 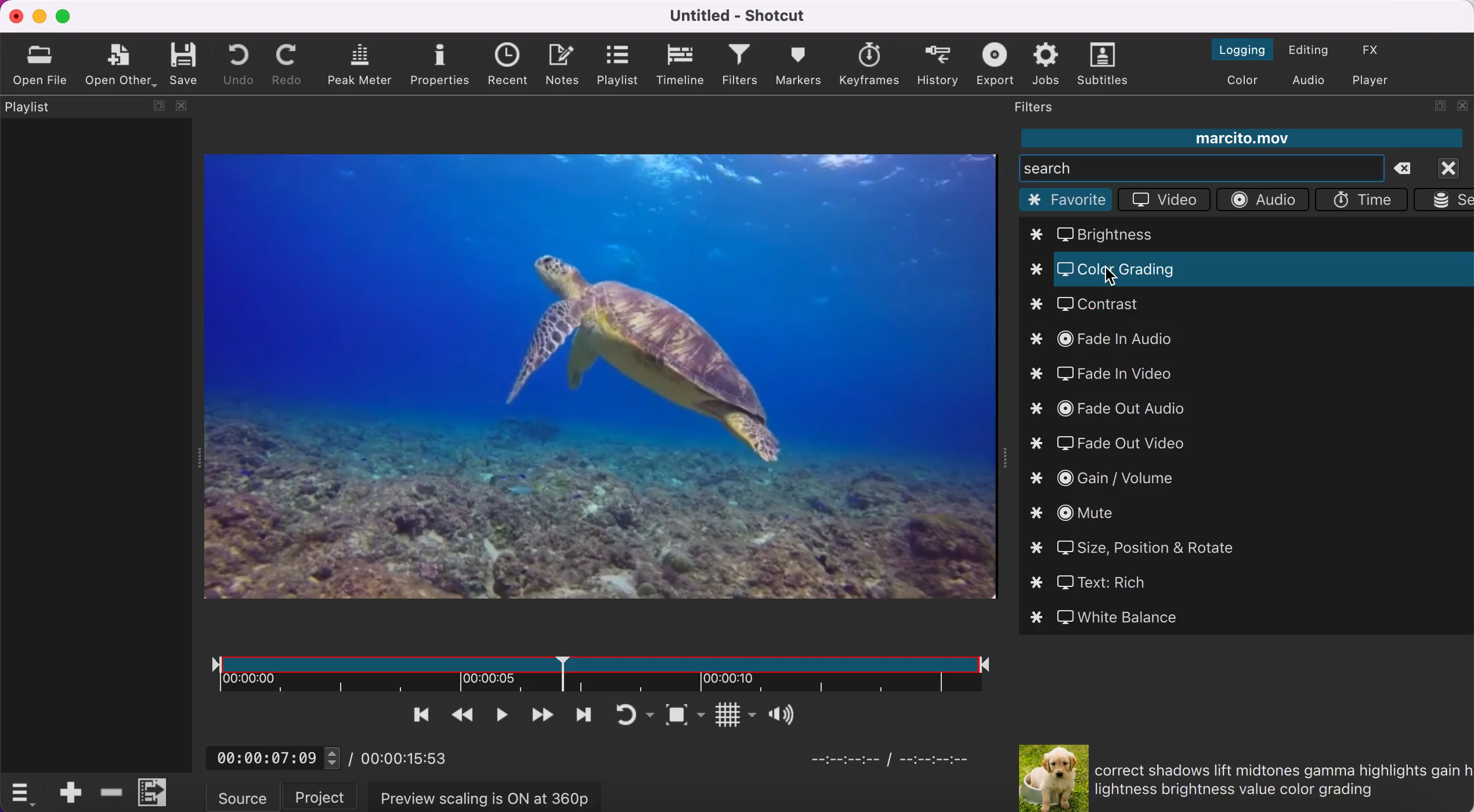 I want to click on Untitled - Shotcut, so click(x=739, y=16).